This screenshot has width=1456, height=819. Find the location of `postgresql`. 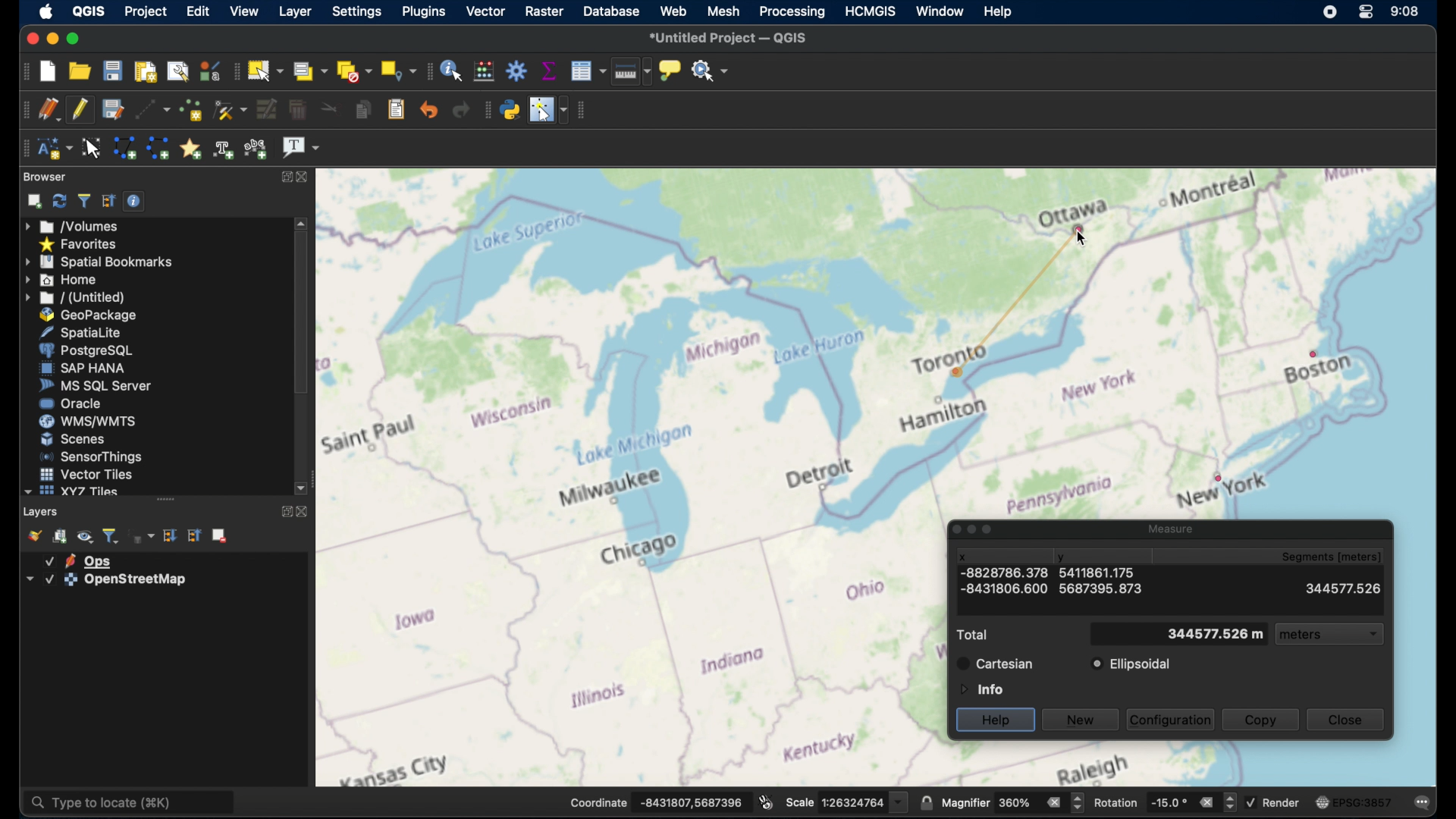

postgresql is located at coordinates (92, 350).